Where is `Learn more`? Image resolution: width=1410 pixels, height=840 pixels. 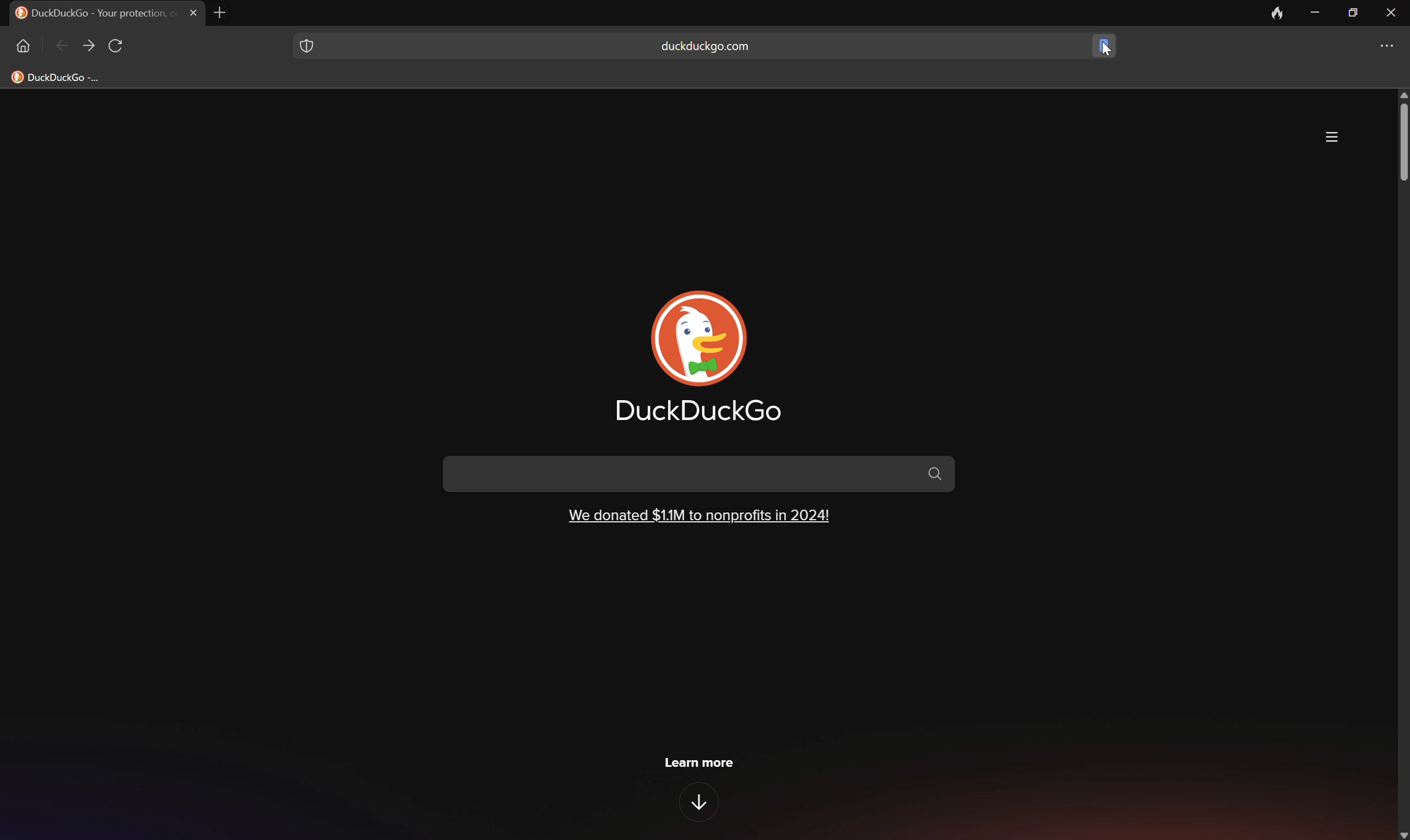
Learn more is located at coordinates (700, 761).